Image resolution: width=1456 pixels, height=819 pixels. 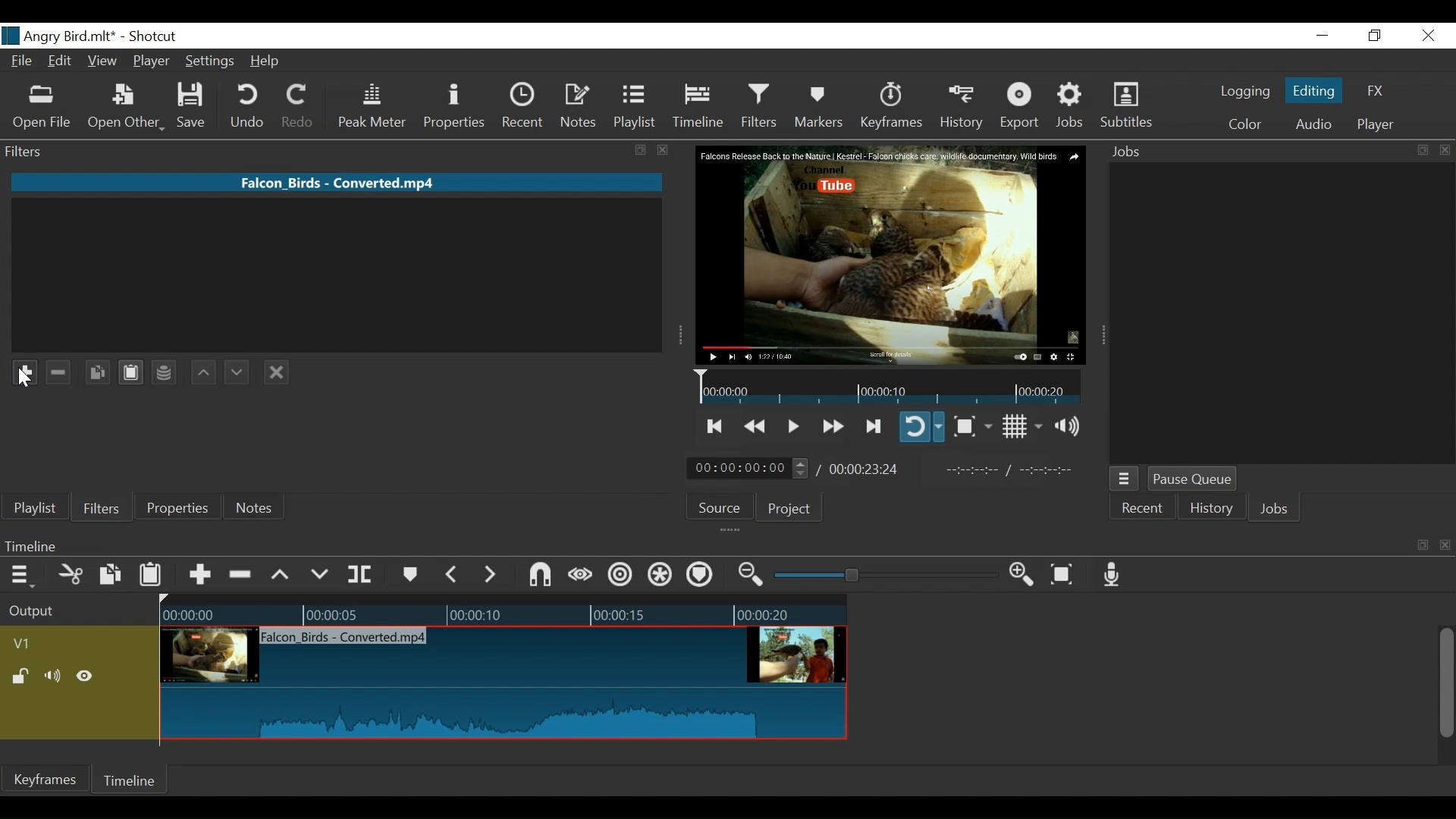 What do you see at coordinates (1376, 125) in the screenshot?
I see `Player` at bounding box center [1376, 125].